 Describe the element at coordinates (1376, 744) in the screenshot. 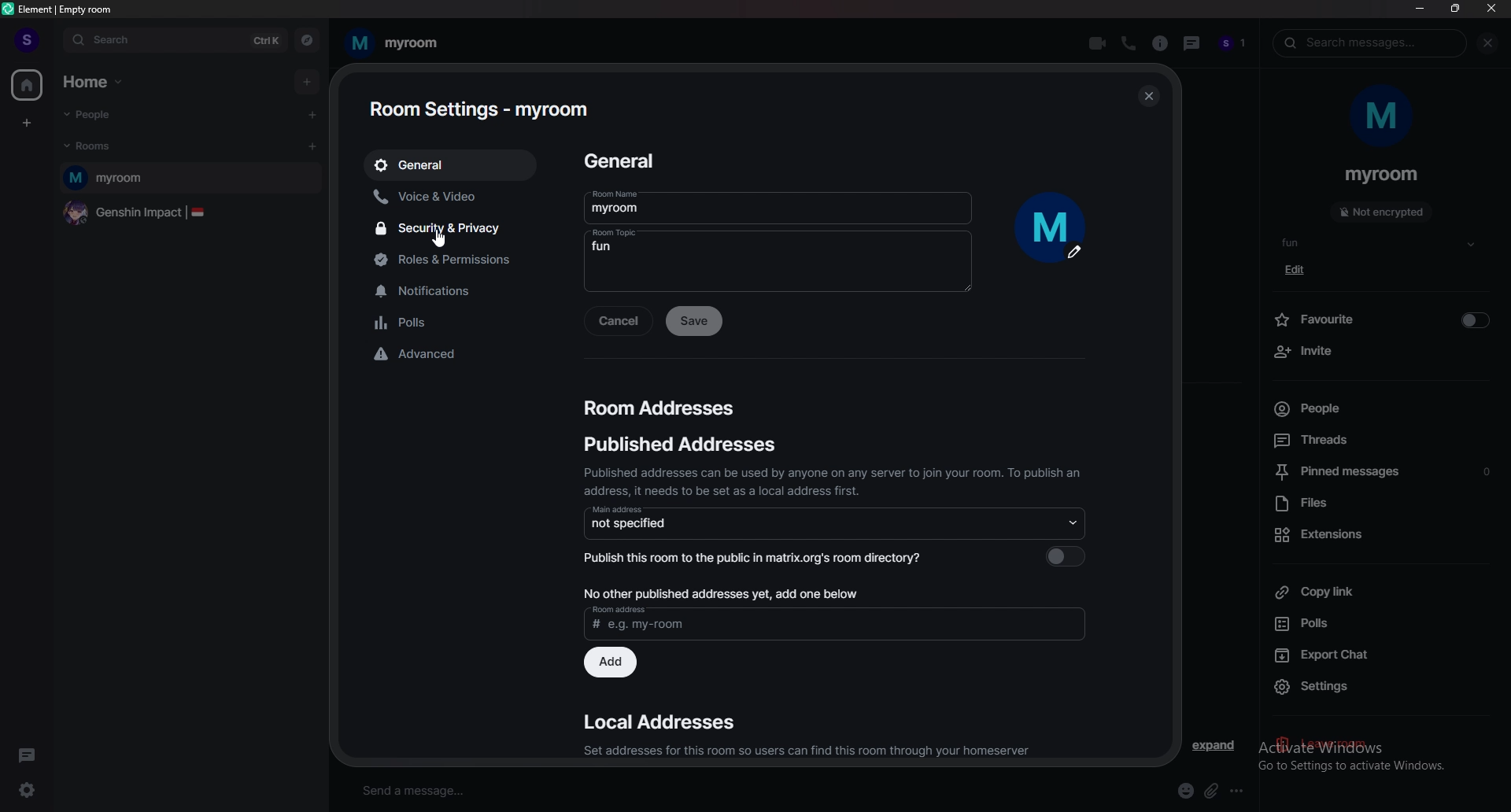

I see `activate windows` at that location.